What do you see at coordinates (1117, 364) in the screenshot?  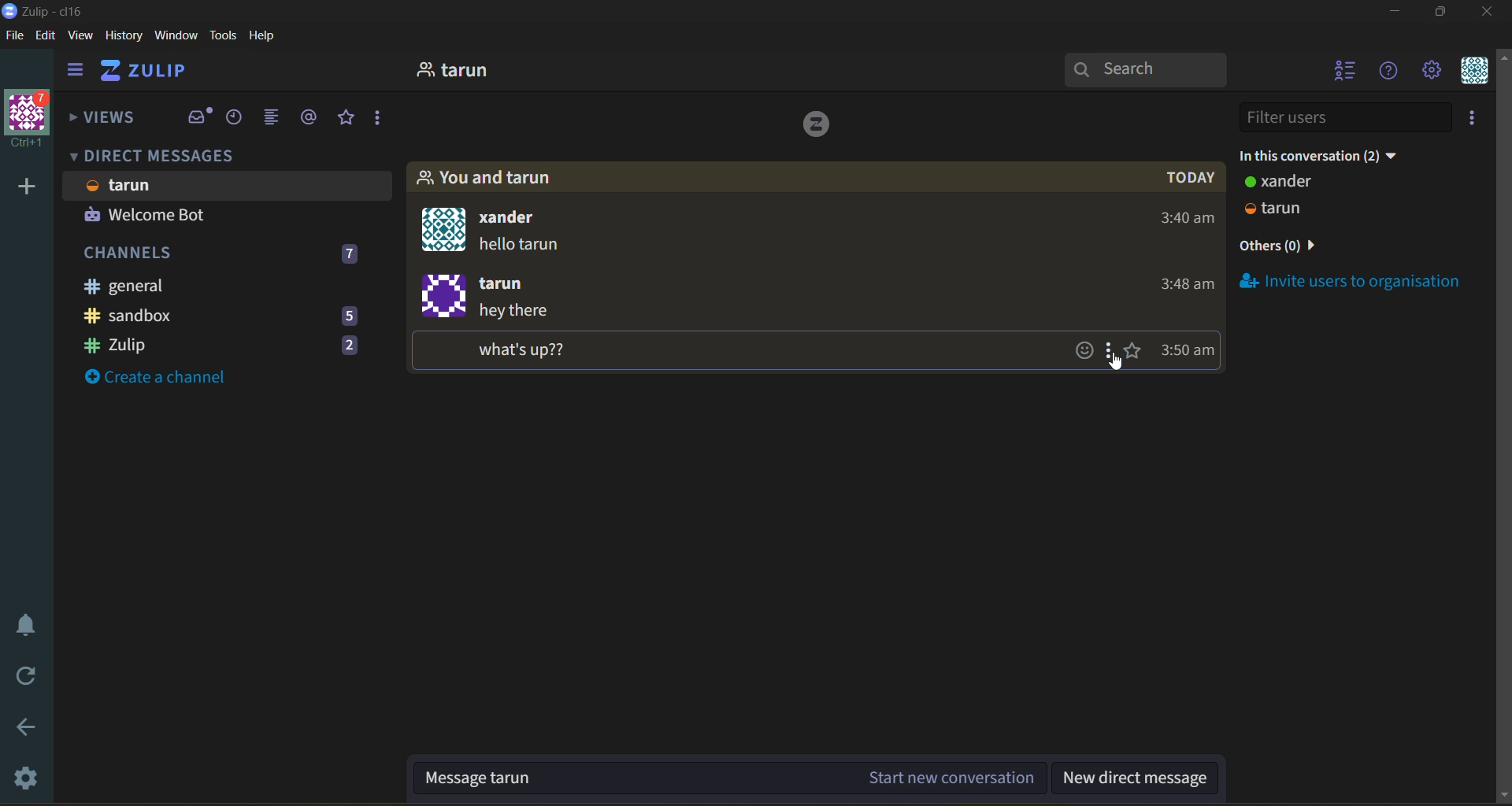 I see `cursor` at bounding box center [1117, 364].